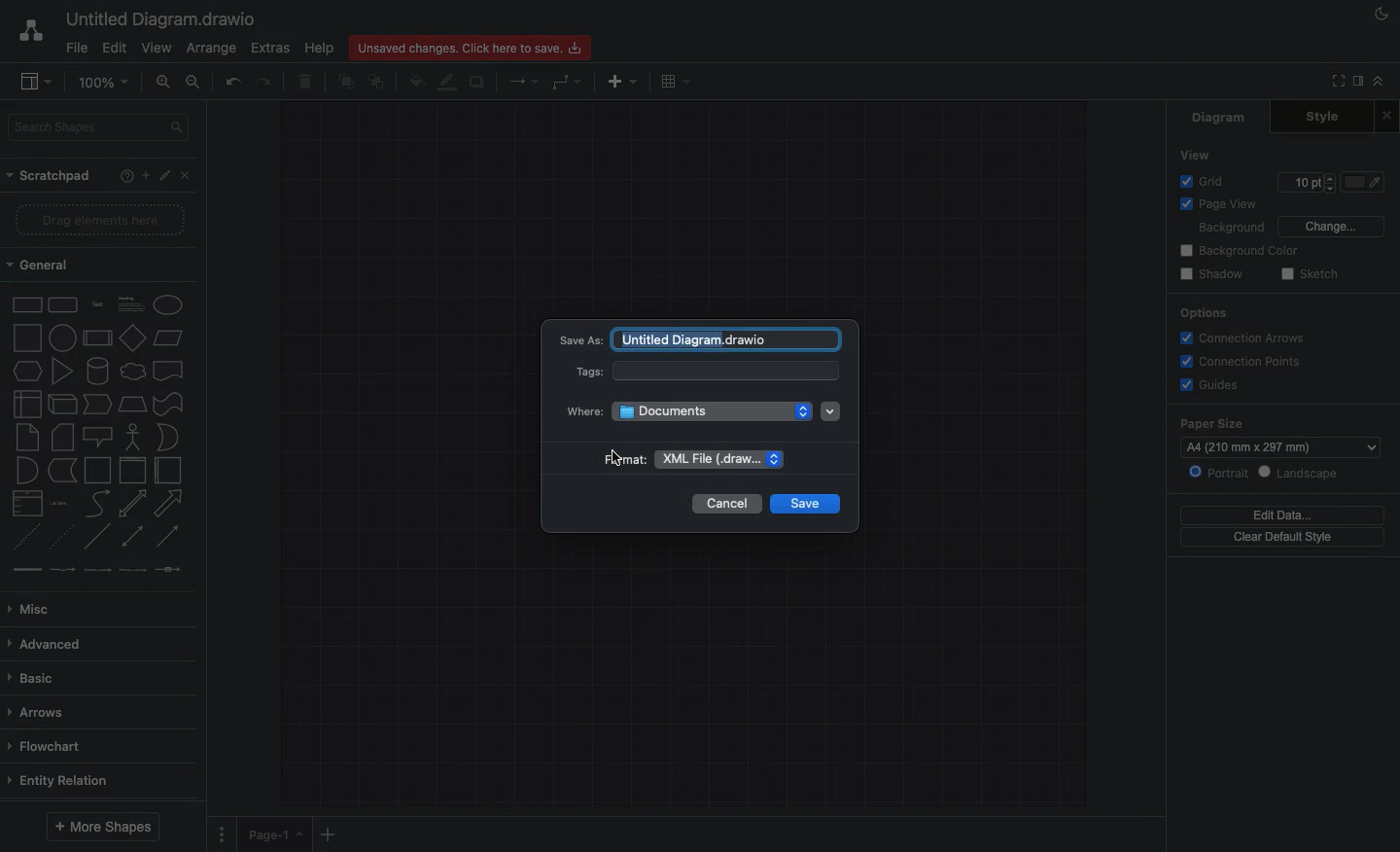 This screenshot has width=1400, height=852. What do you see at coordinates (1285, 538) in the screenshot?
I see `Clear default style` at bounding box center [1285, 538].